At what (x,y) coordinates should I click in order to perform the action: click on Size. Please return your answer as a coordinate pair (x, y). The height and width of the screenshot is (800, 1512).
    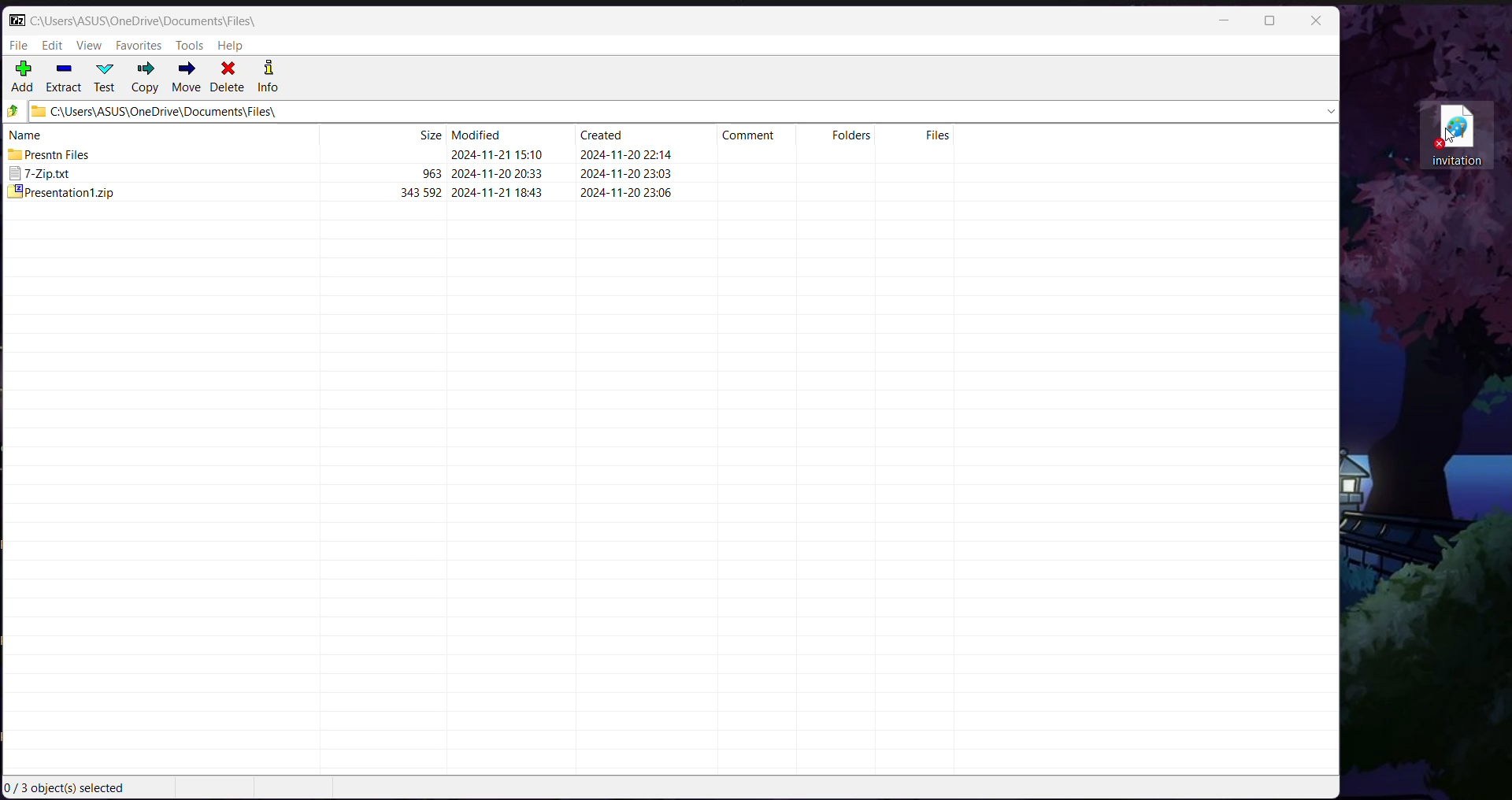
    Looking at the image, I should click on (430, 133).